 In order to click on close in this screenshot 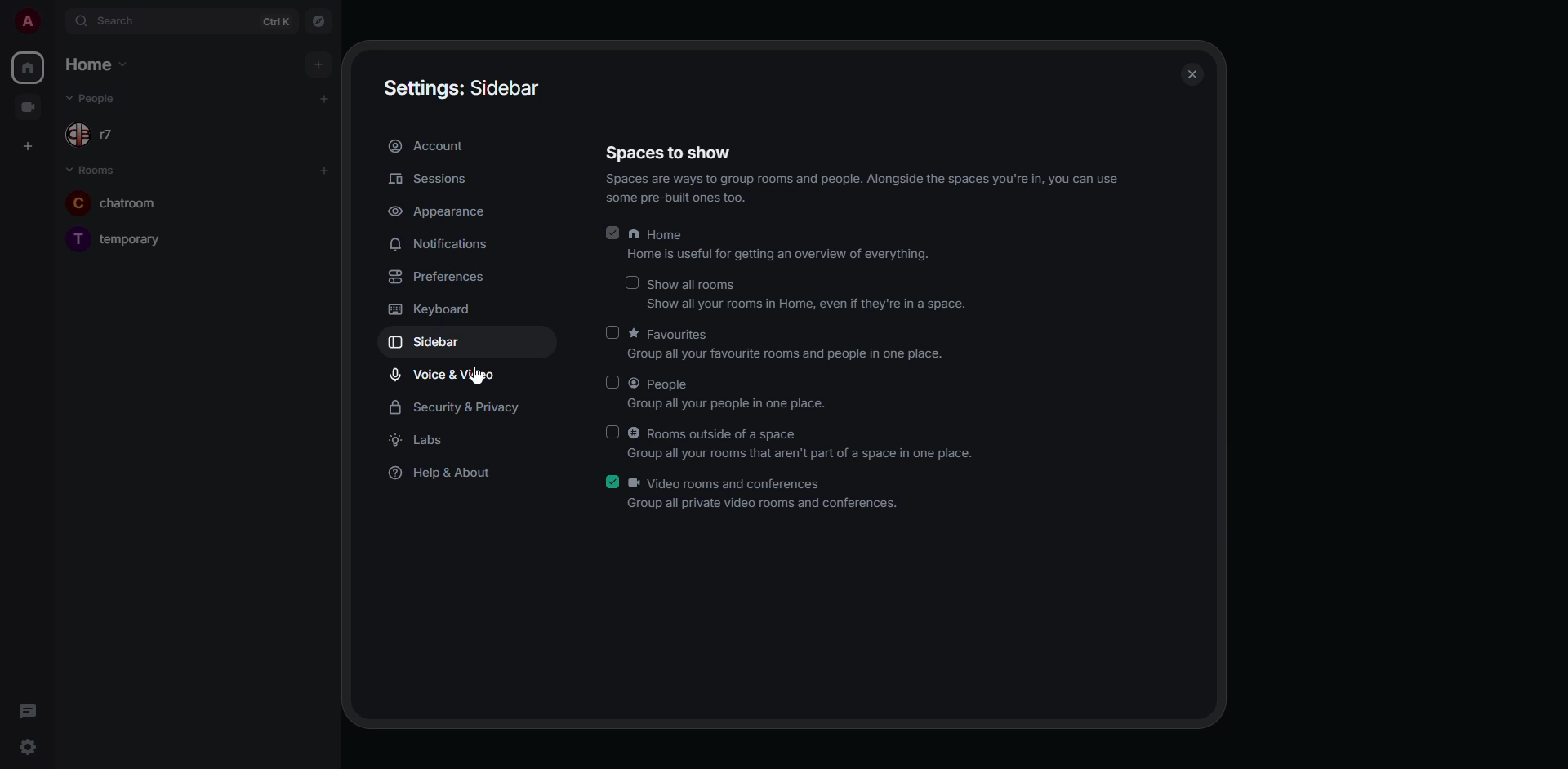, I will do `click(1194, 73)`.